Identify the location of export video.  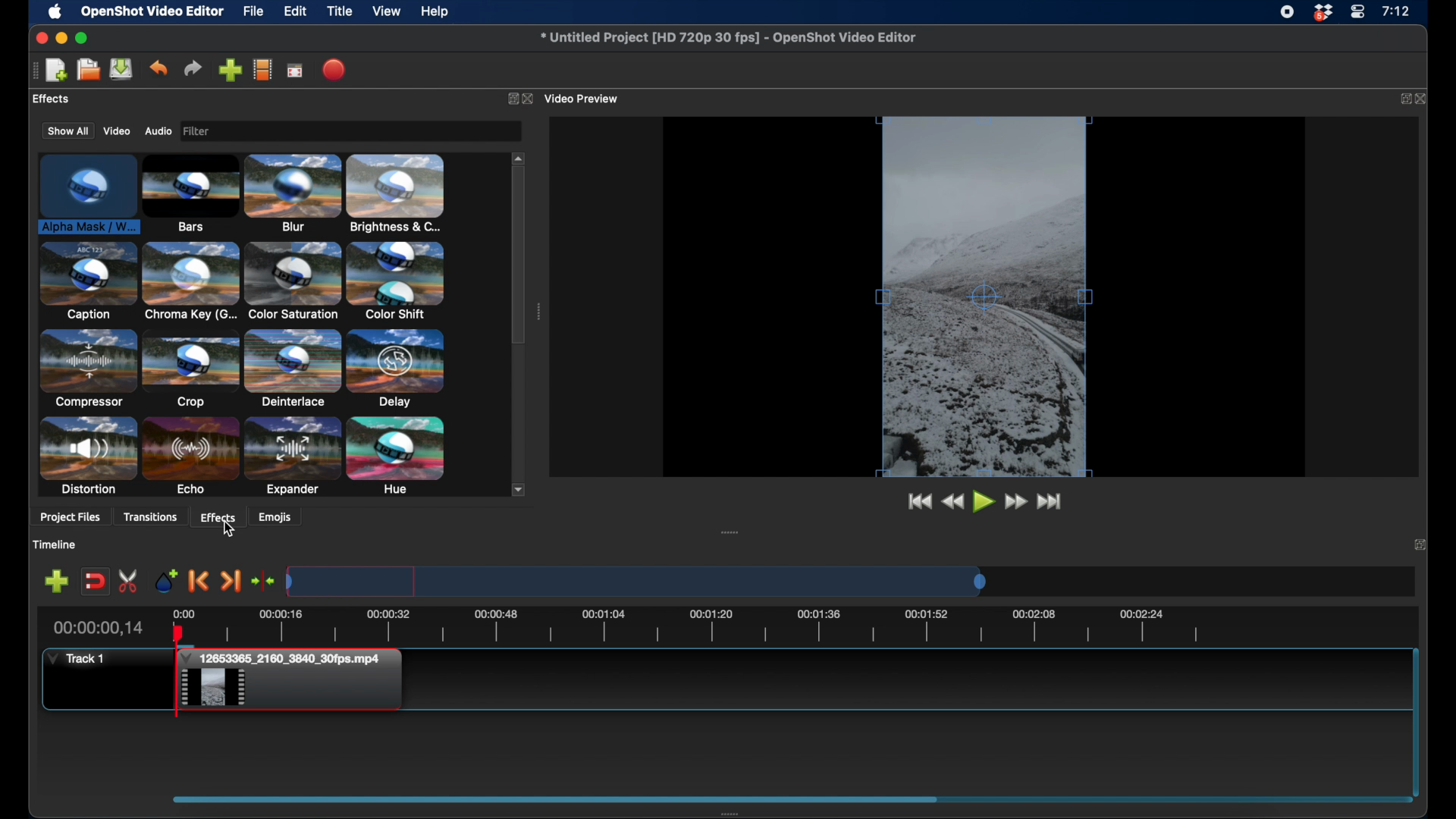
(336, 70).